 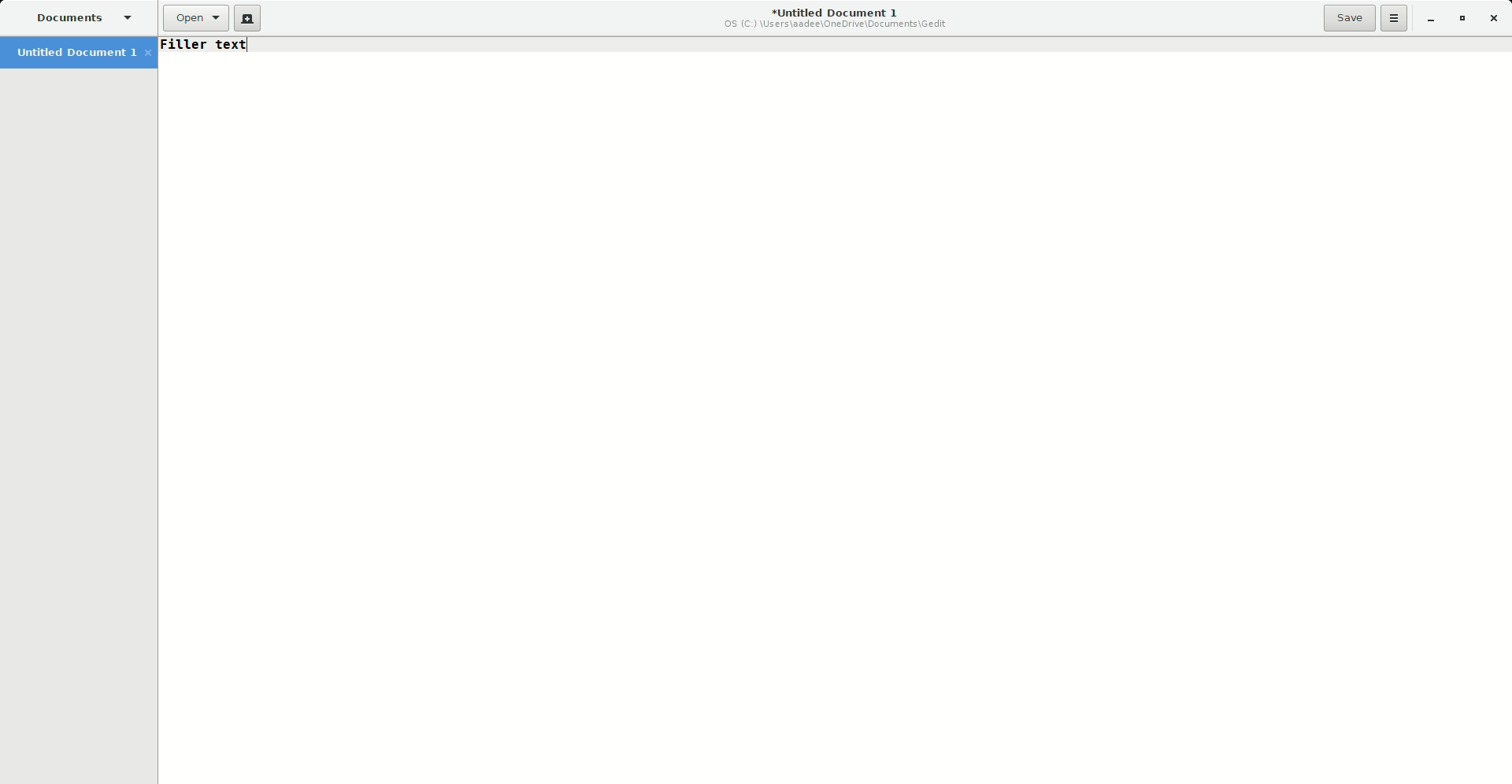 What do you see at coordinates (192, 19) in the screenshot?
I see `Open` at bounding box center [192, 19].